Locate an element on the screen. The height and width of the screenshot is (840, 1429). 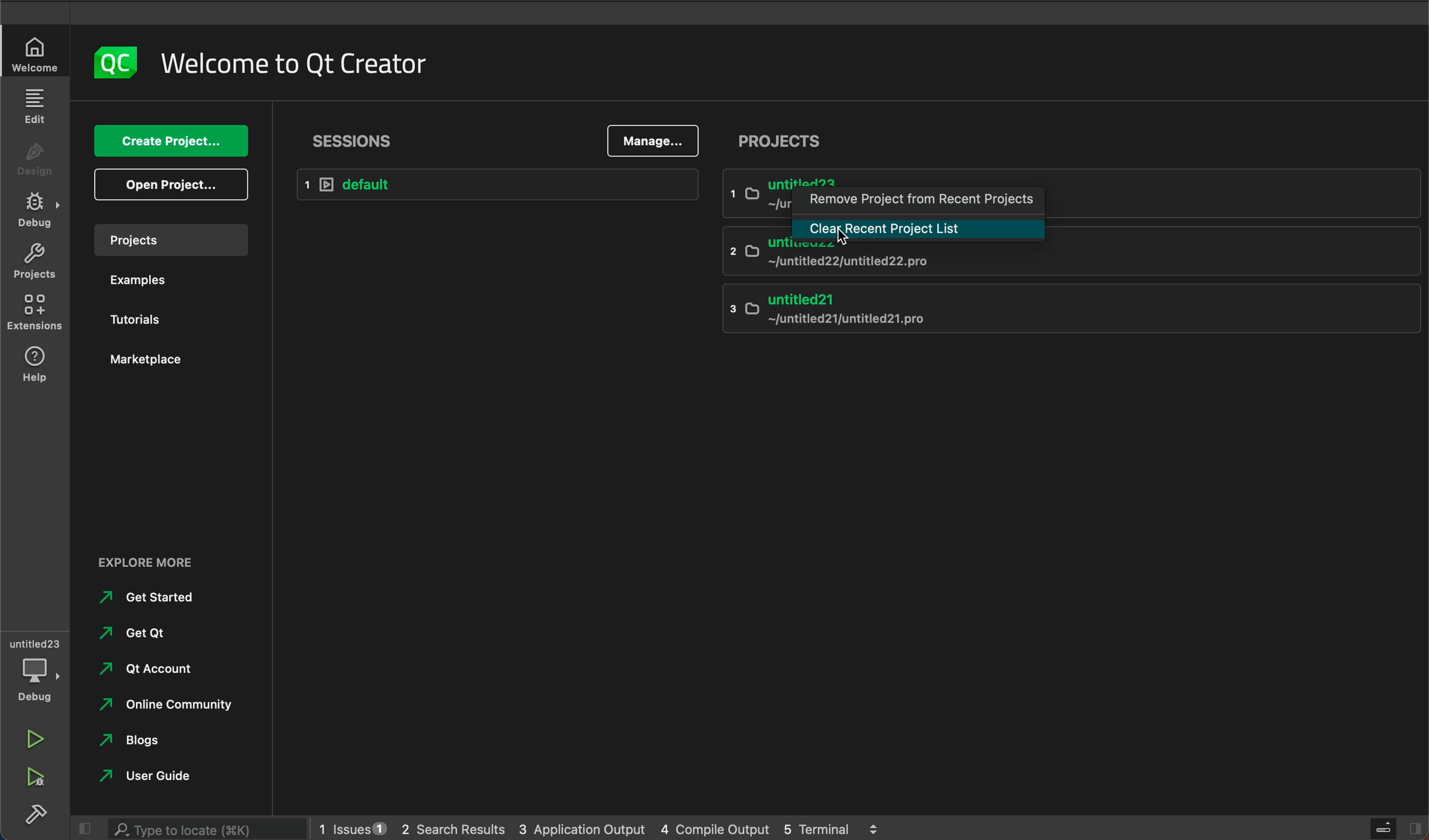
help is located at coordinates (35, 367).